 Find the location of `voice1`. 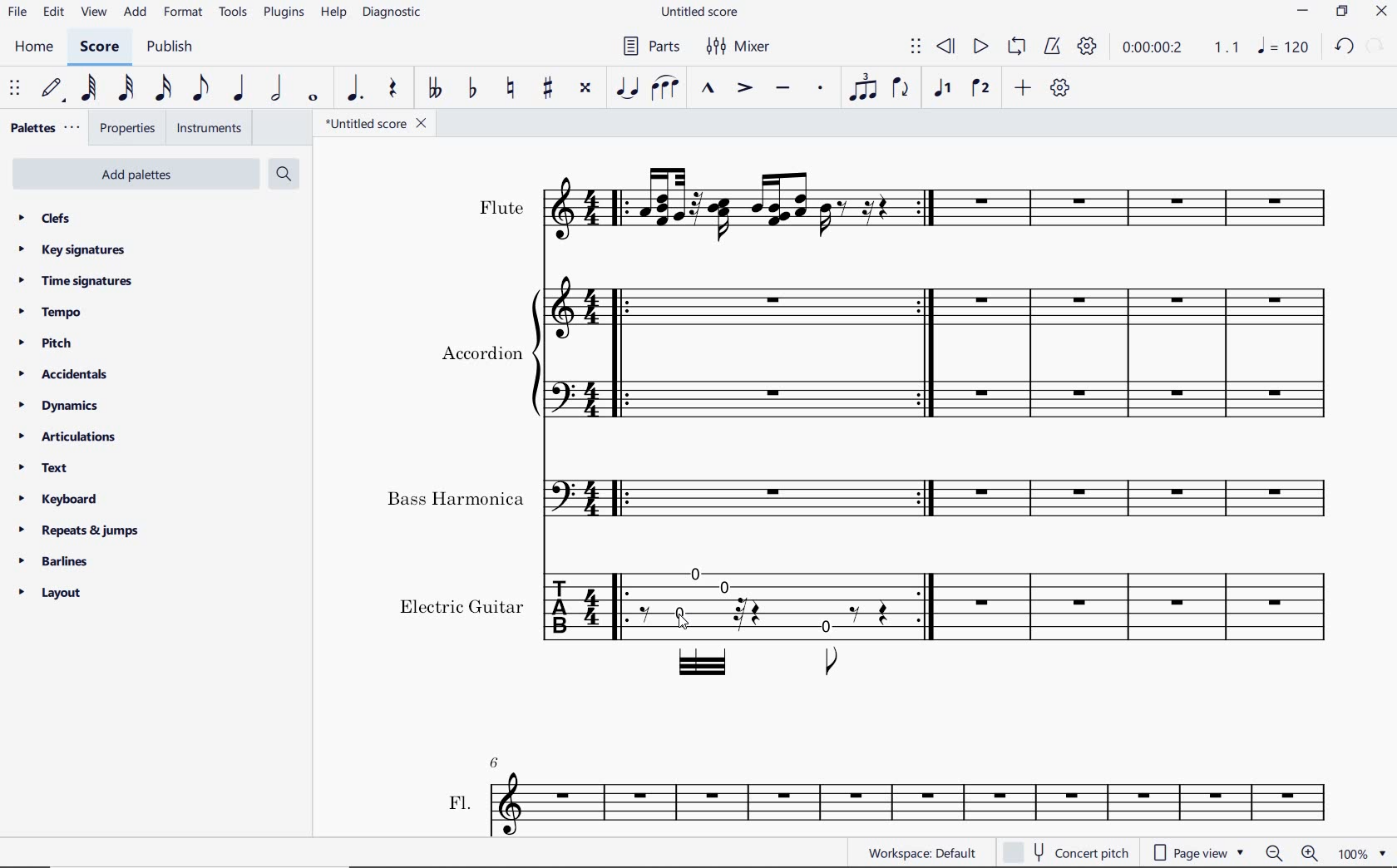

voice1 is located at coordinates (943, 87).